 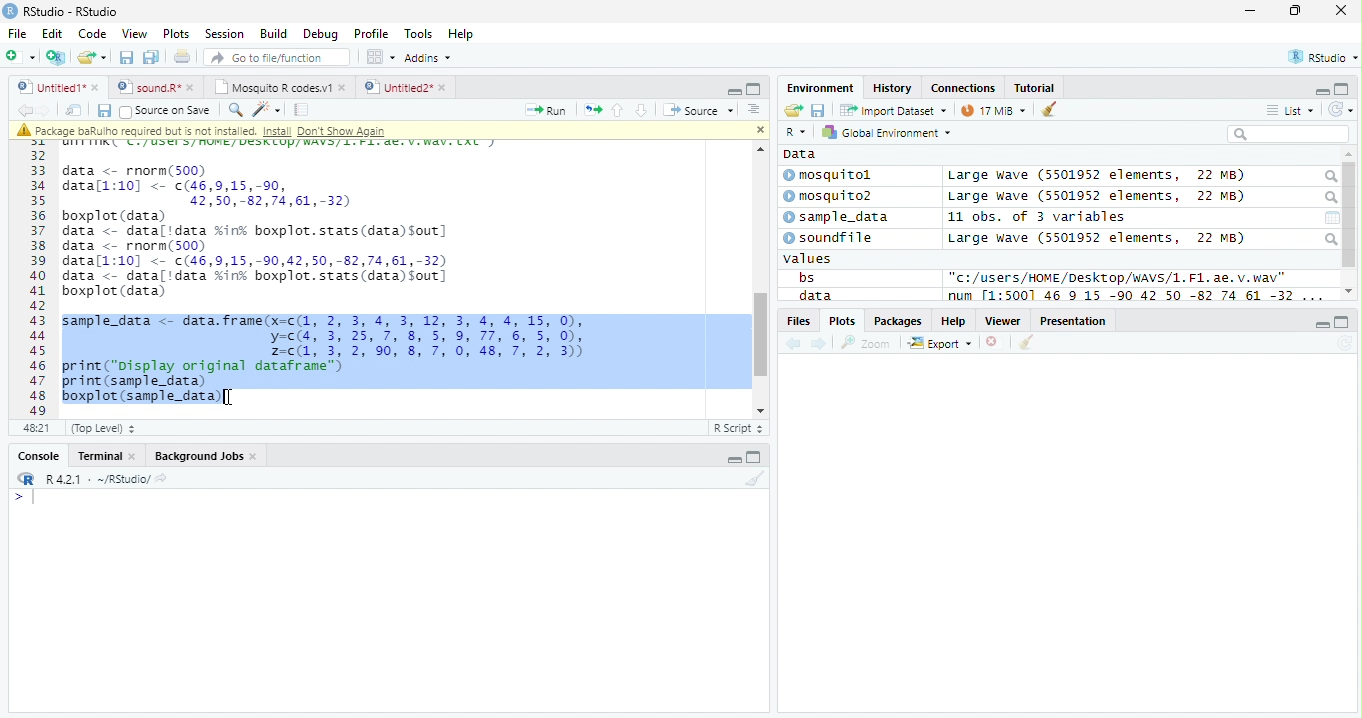 What do you see at coordinates (813, 295) in the screenshot?
I see `data` at bounding box center [813, 295].